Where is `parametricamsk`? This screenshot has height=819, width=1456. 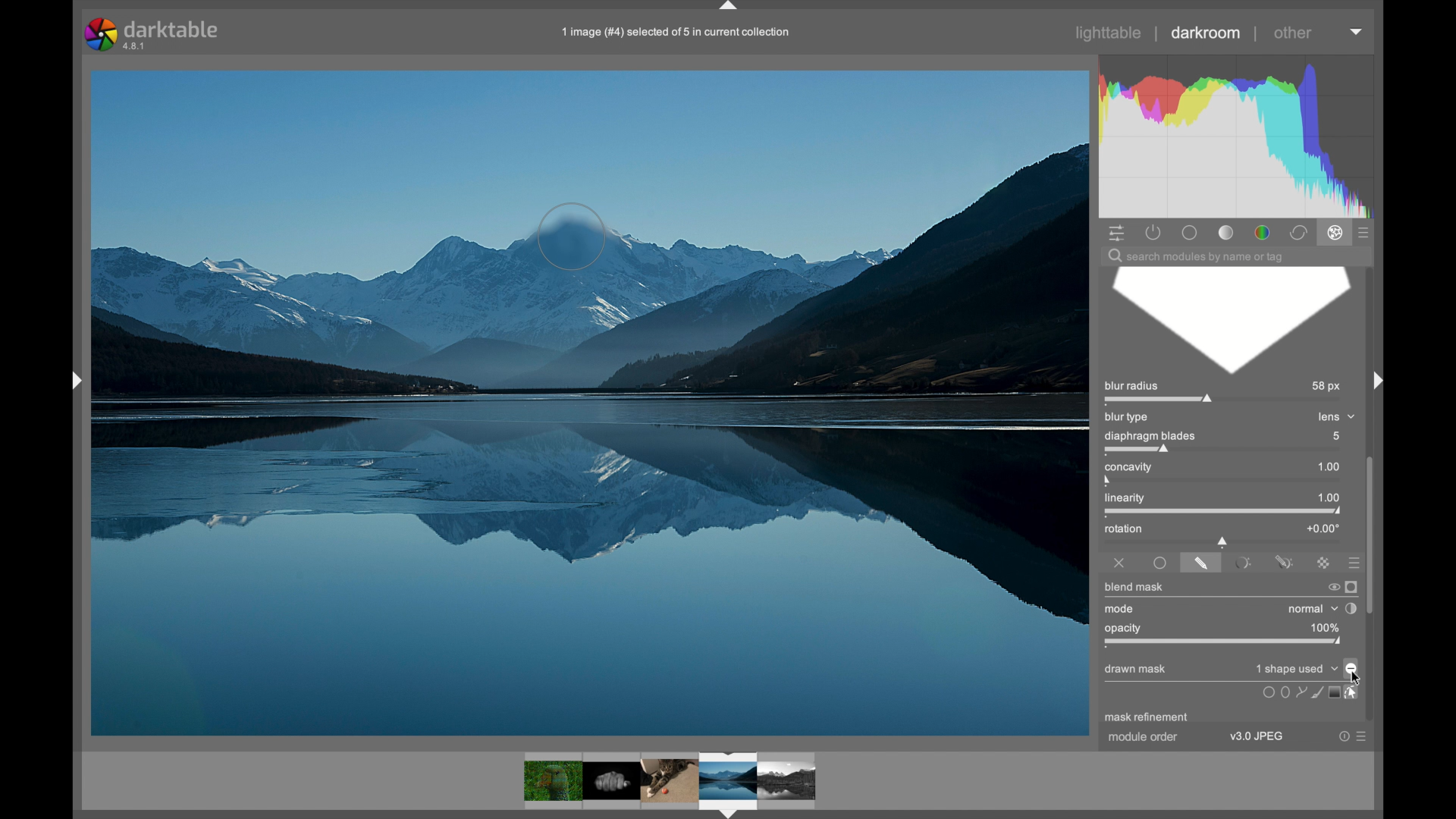
parametricamsk is located at coordinates (1241, 562).